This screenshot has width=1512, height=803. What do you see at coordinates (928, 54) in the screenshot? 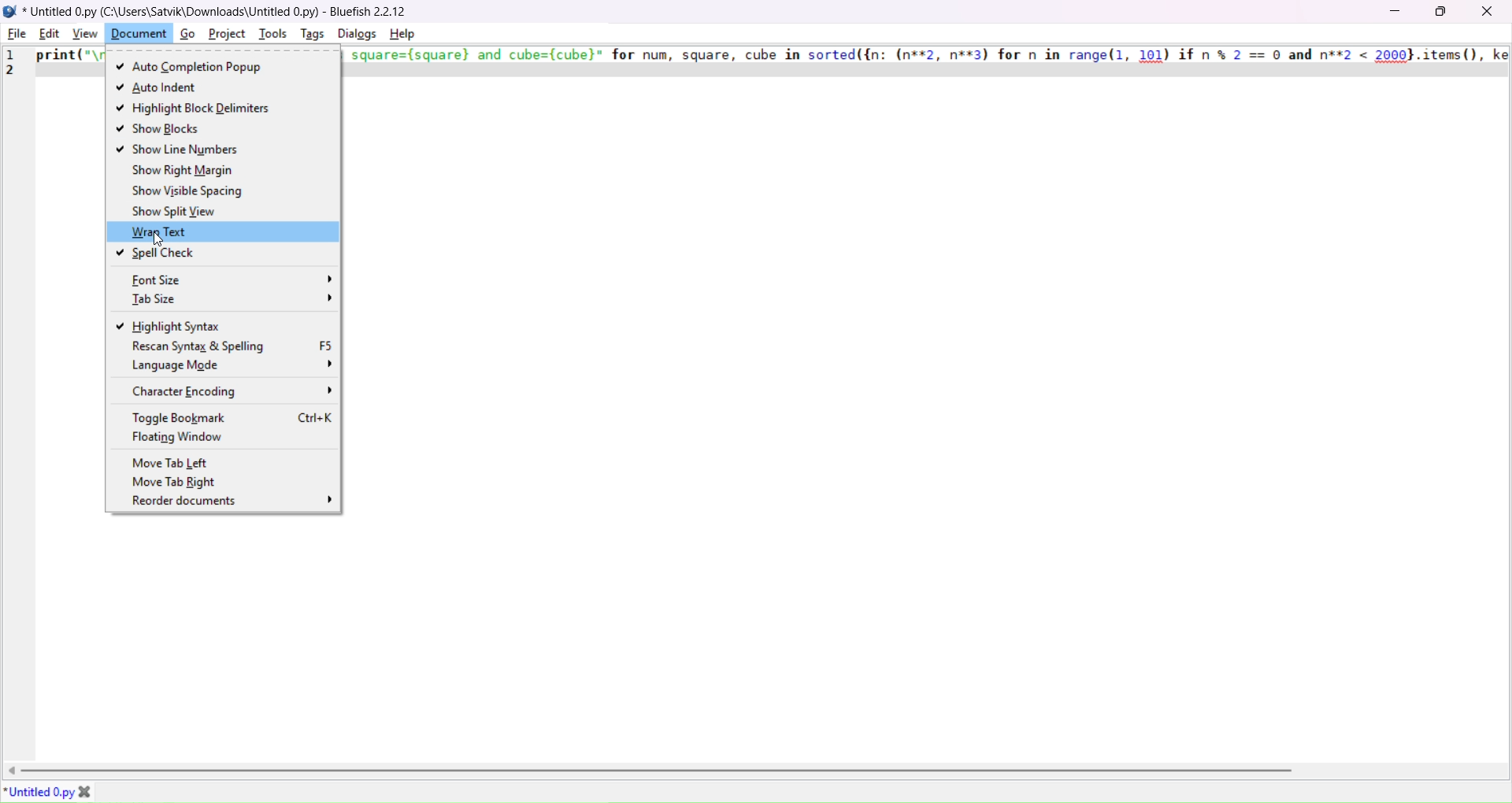
I see `square=(square) and cube=(cube)" for num, square, cube in sorted({n: (n**2, n**3) for n in range (1, 101) if n % 2 == 0 and n**2  < 2000},items(), ke` at bounding box center [928, 54].